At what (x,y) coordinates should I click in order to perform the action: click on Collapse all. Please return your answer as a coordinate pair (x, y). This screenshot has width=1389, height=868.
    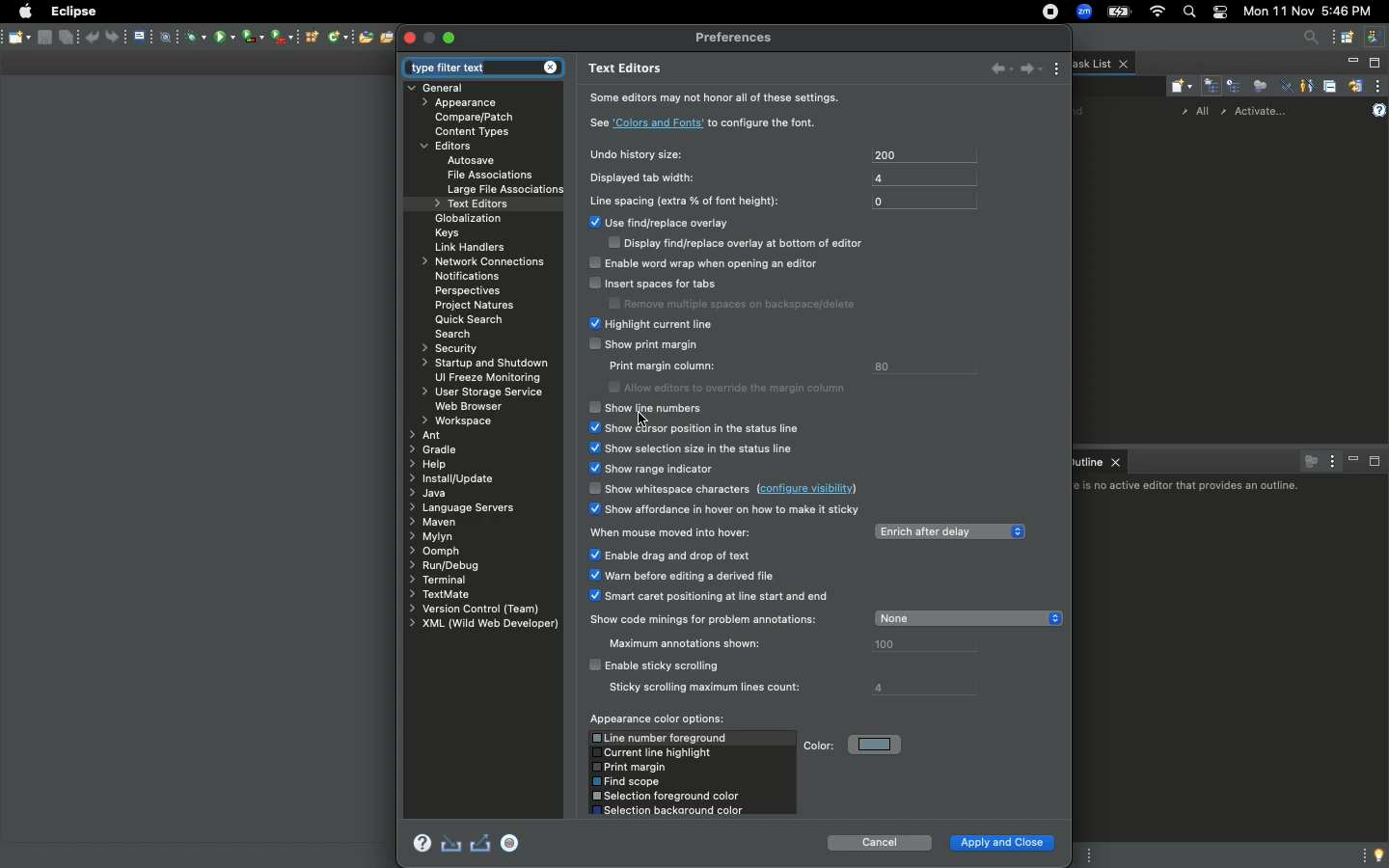
    Looking at the image, I should click on (1330, 86).